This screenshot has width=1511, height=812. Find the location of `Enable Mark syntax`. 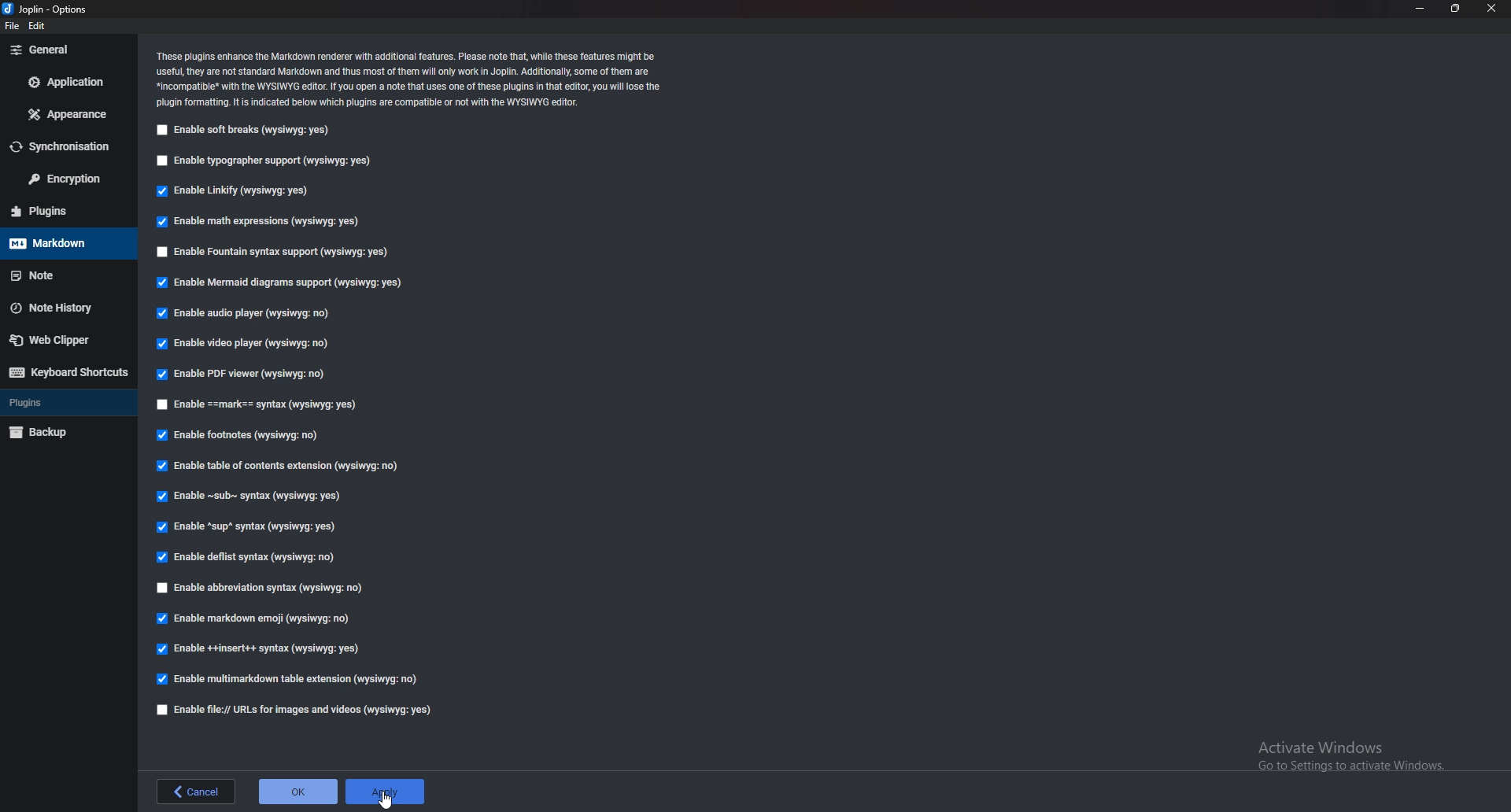

Enable Mark syntax is located at coordinates (285, 405).